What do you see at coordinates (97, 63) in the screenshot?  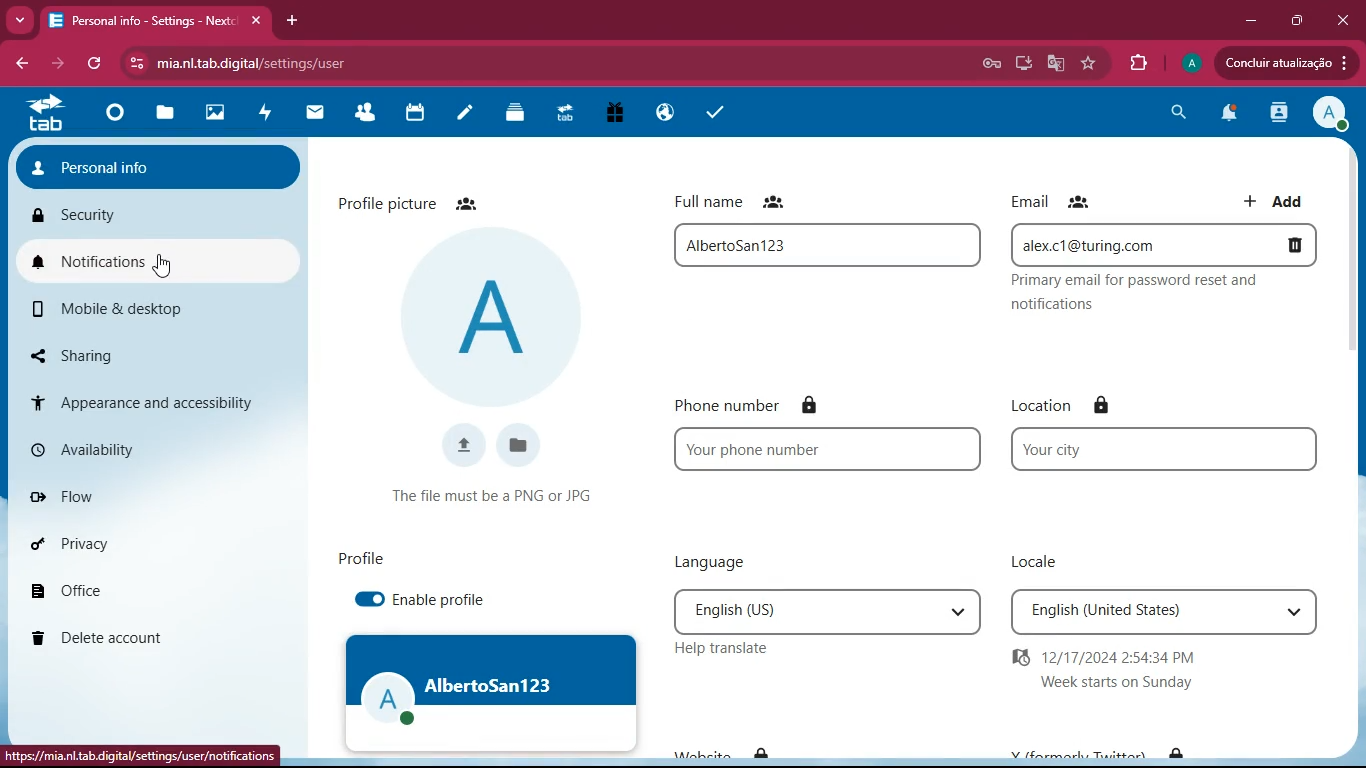 I see `refresh` at bounding box center [97, 63].